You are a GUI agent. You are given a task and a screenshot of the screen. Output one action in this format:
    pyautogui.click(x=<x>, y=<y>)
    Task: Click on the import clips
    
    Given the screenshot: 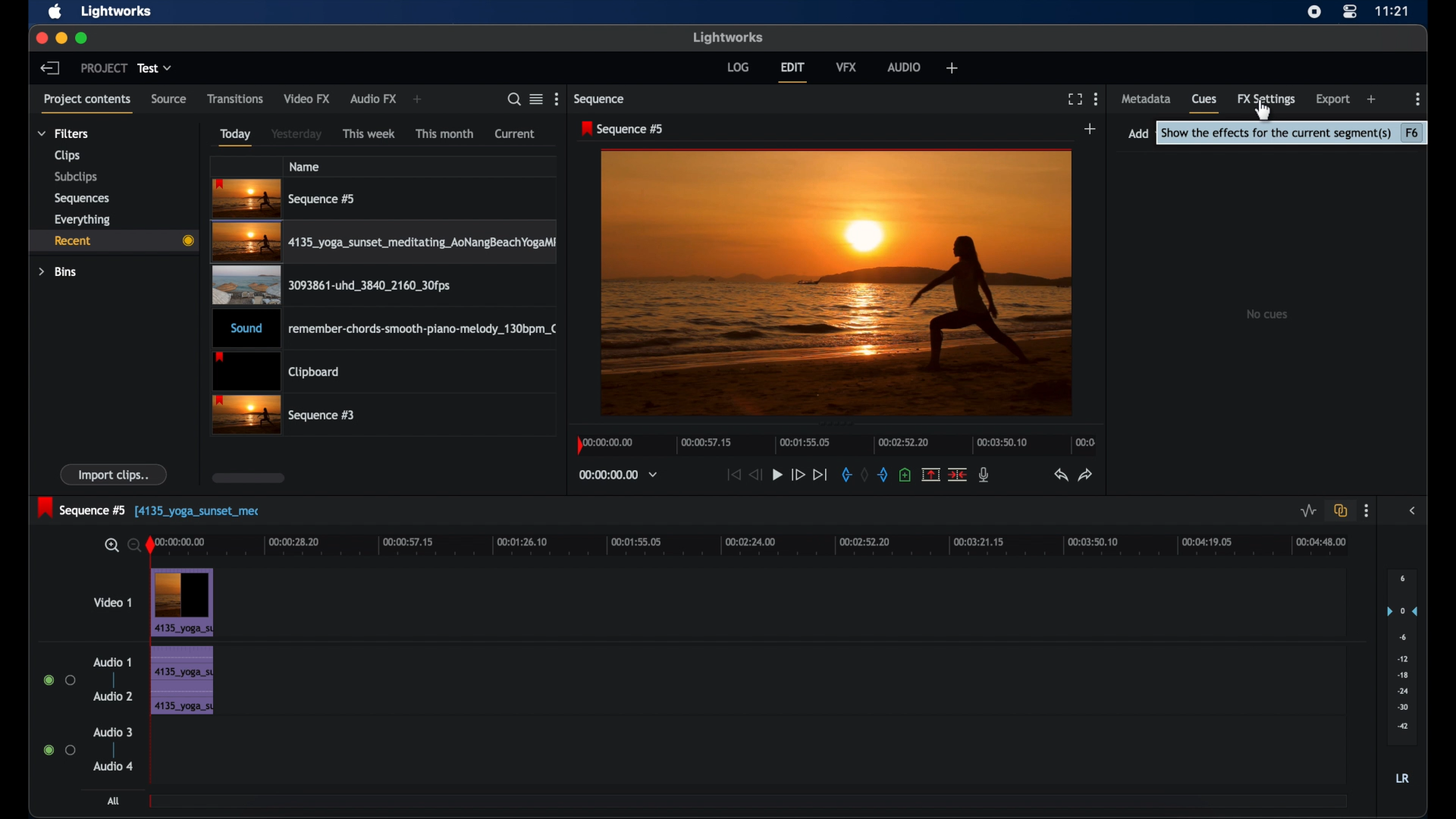 What is the action you would take?
    pyautogui.click(x=115, y=474)
    